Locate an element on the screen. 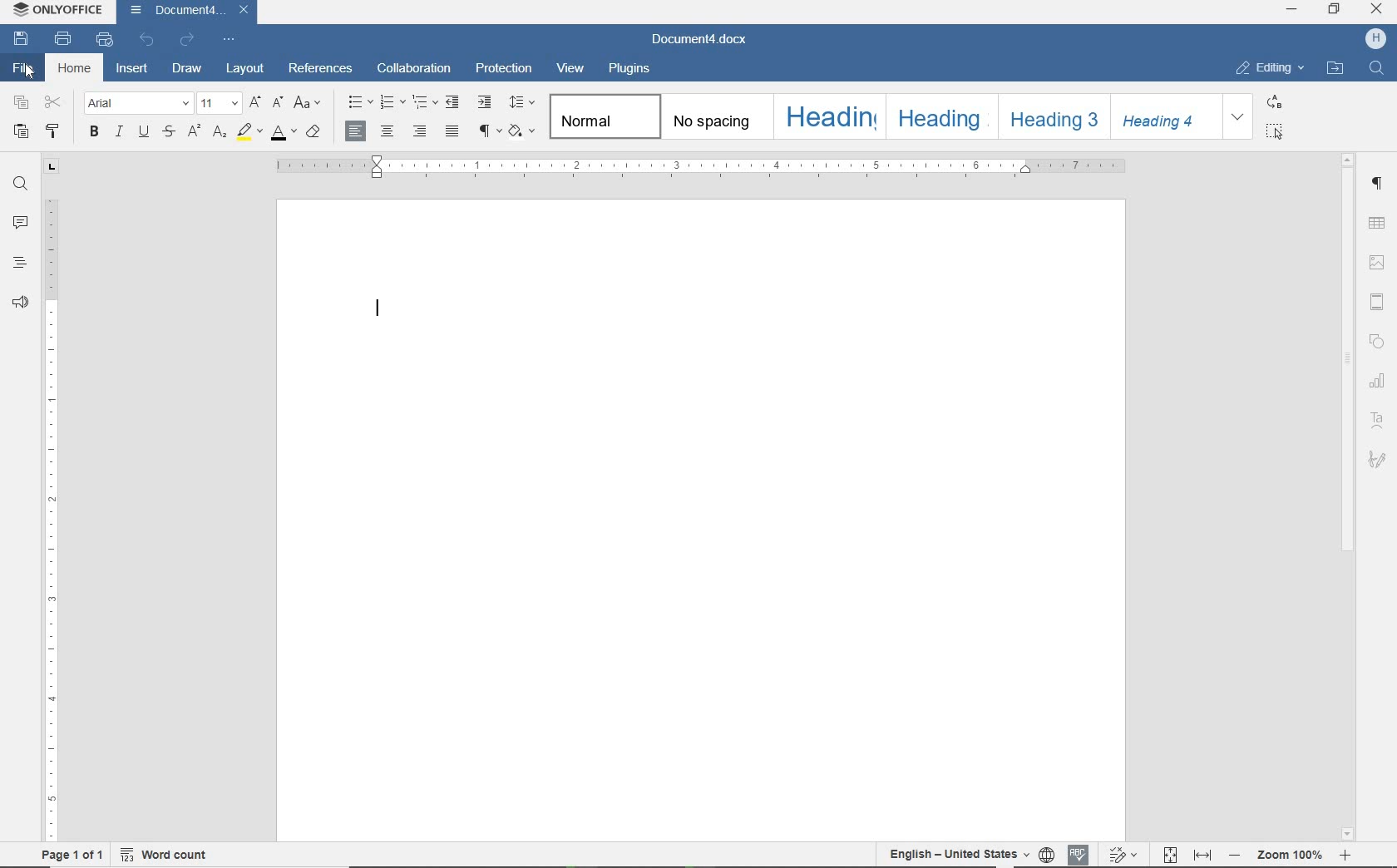  shape is located at coordinates (1376, 341).